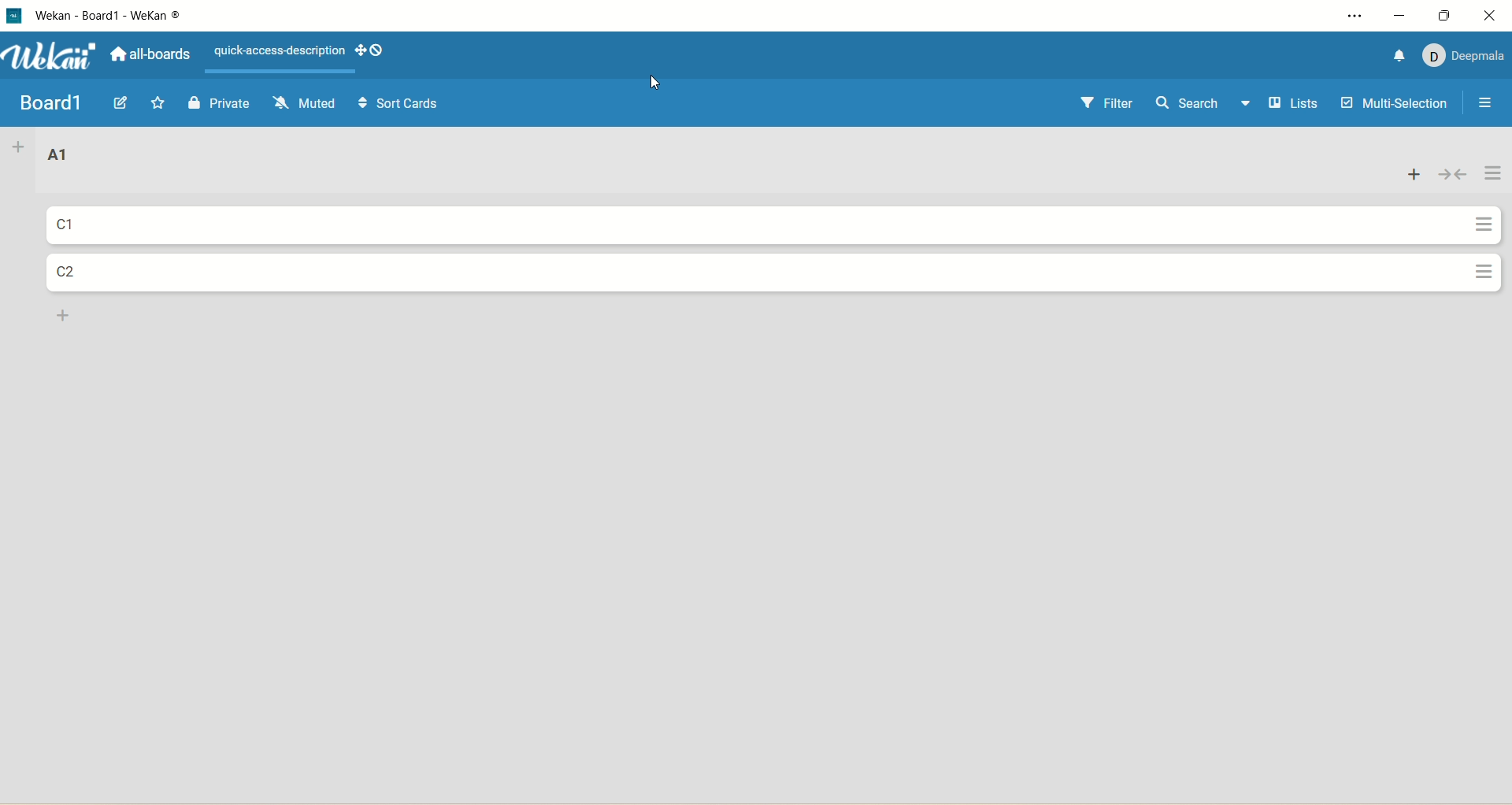  What do you see at coordinates (276, 52) in the screenshot?
I see `text` at bounding box center [276, 52].